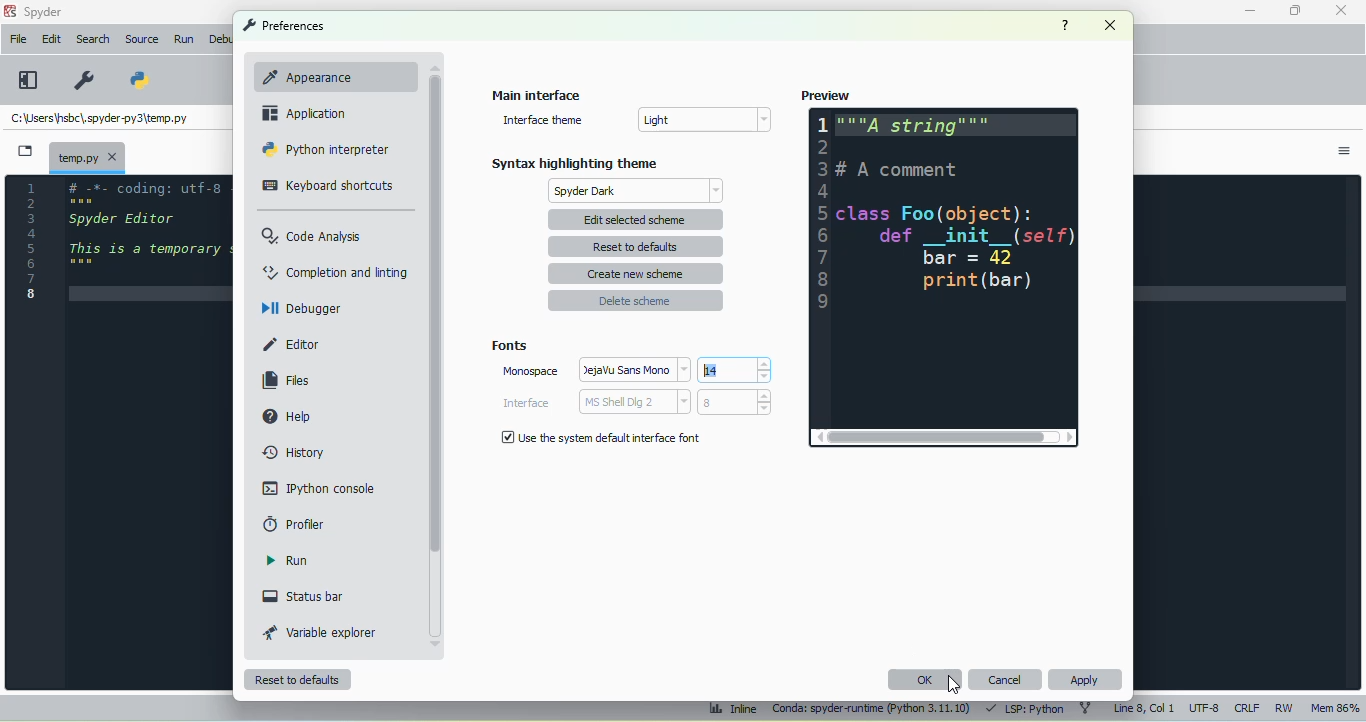 The width and height of the screenshot is (1366, 722). What do you see at coordinates (1145, 708) in the screenshot?
I see `line 8, col 1` at bounding box center [1145, 708].